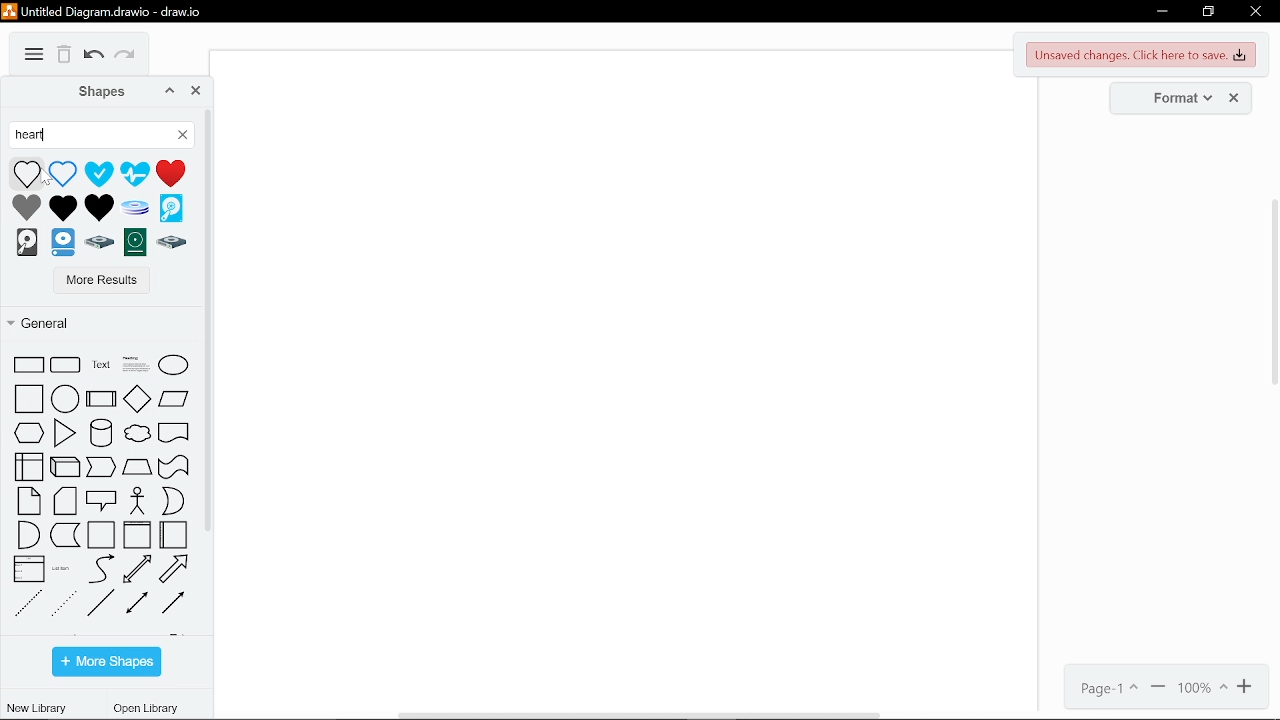 The image size is (1280, 720). What do you see at coordinates (92, 135) in the screenshot?
I see `heart` at bounding box center [92, 135].